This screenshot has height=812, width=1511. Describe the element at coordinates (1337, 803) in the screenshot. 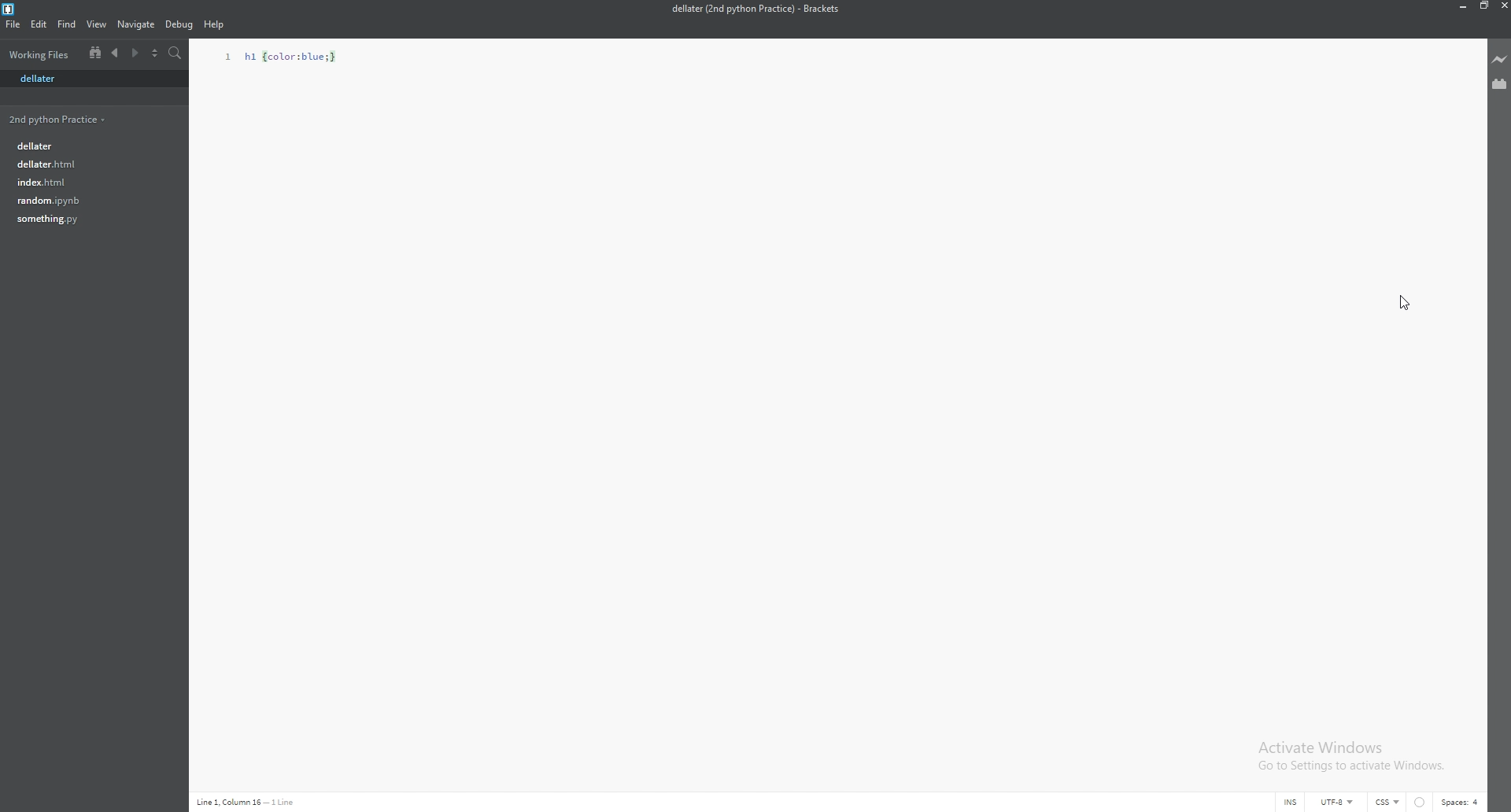

I see `UTF-8` at that location.